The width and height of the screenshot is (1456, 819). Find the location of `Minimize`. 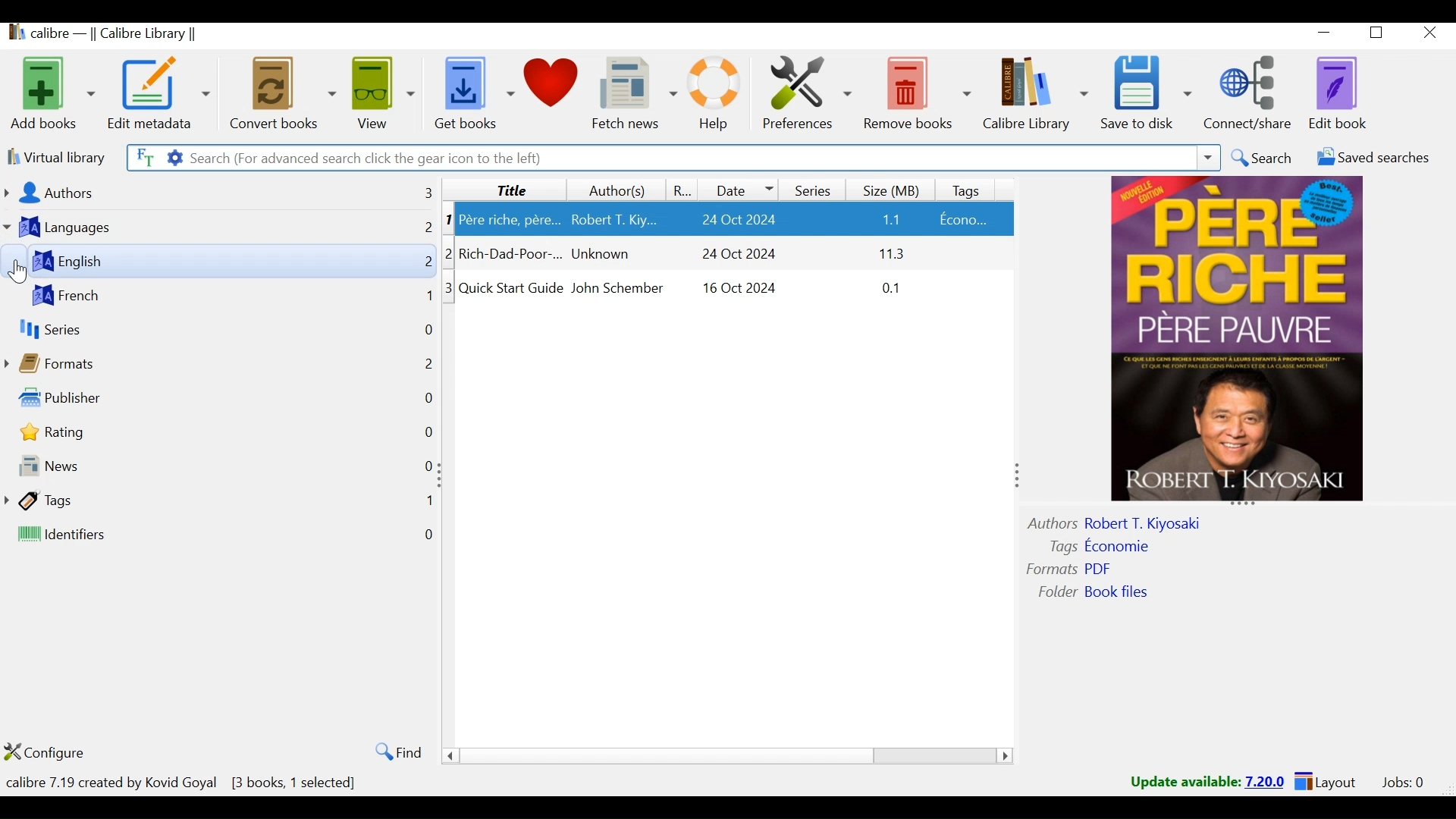

Minimize is located at coordinates (1326, 35).